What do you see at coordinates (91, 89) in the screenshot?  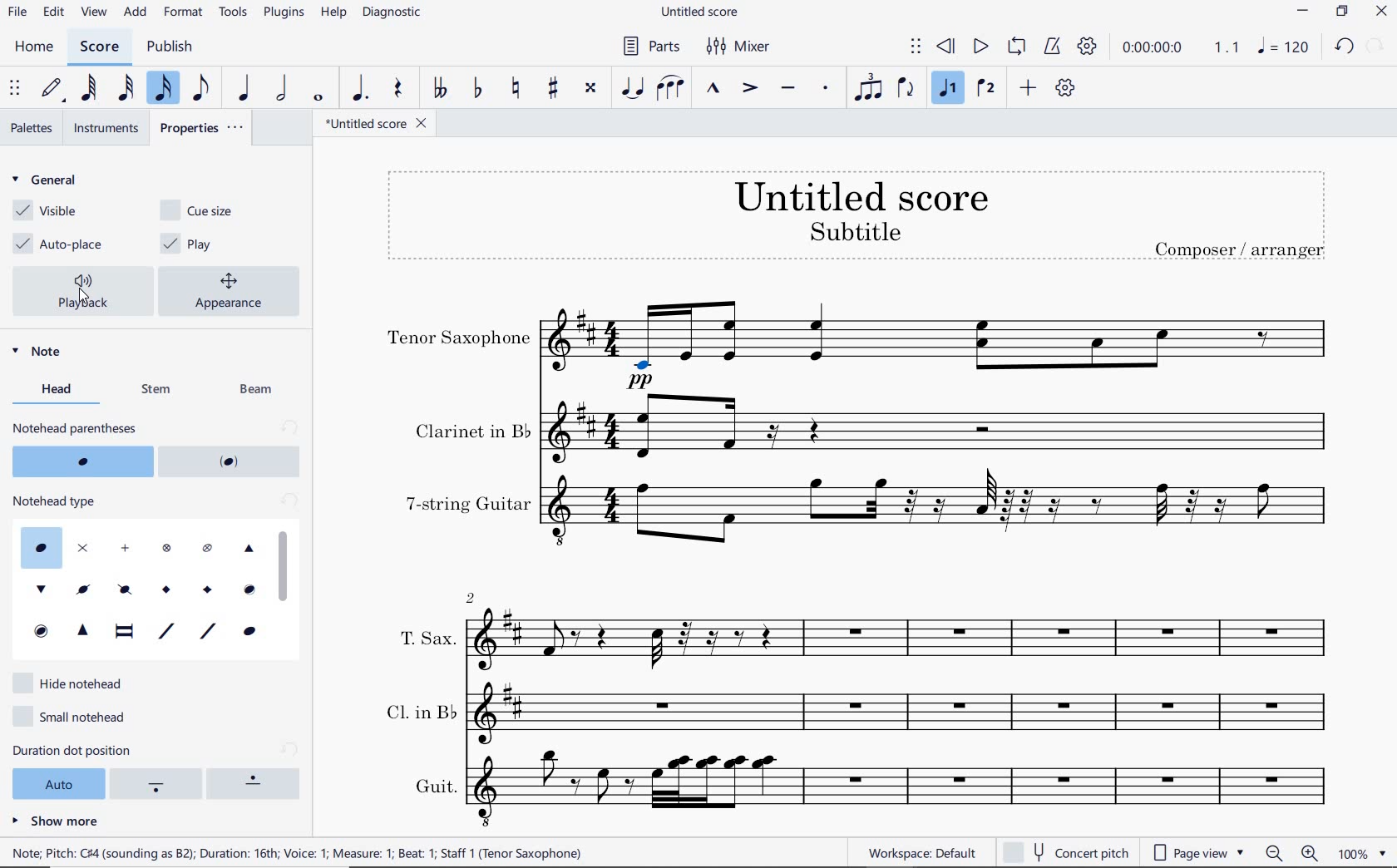 I see `64TH NOTE` at bounding box center [91, 89].